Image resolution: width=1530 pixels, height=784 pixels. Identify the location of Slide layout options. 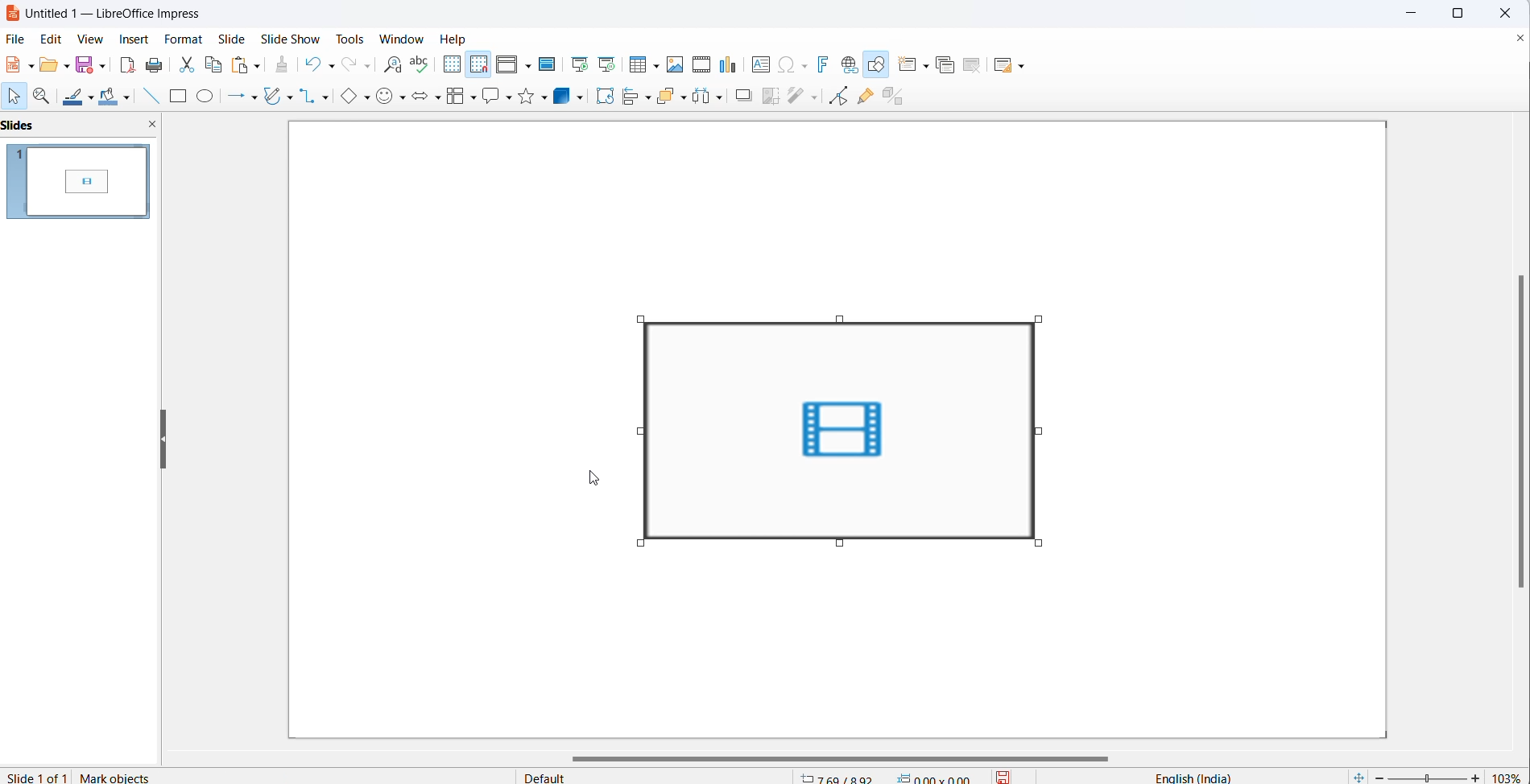
(1021, 65).